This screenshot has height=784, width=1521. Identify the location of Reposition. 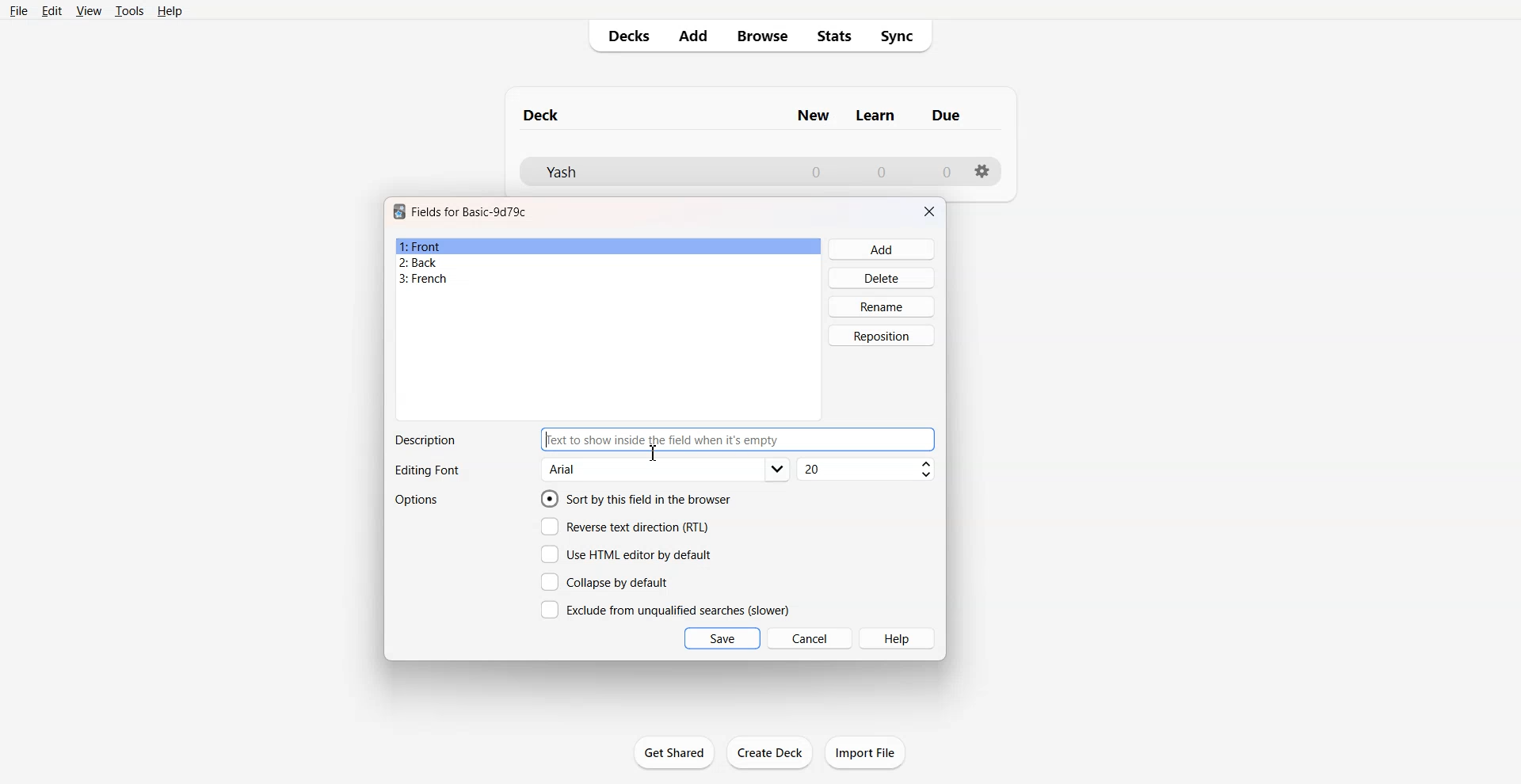
(882, 336).